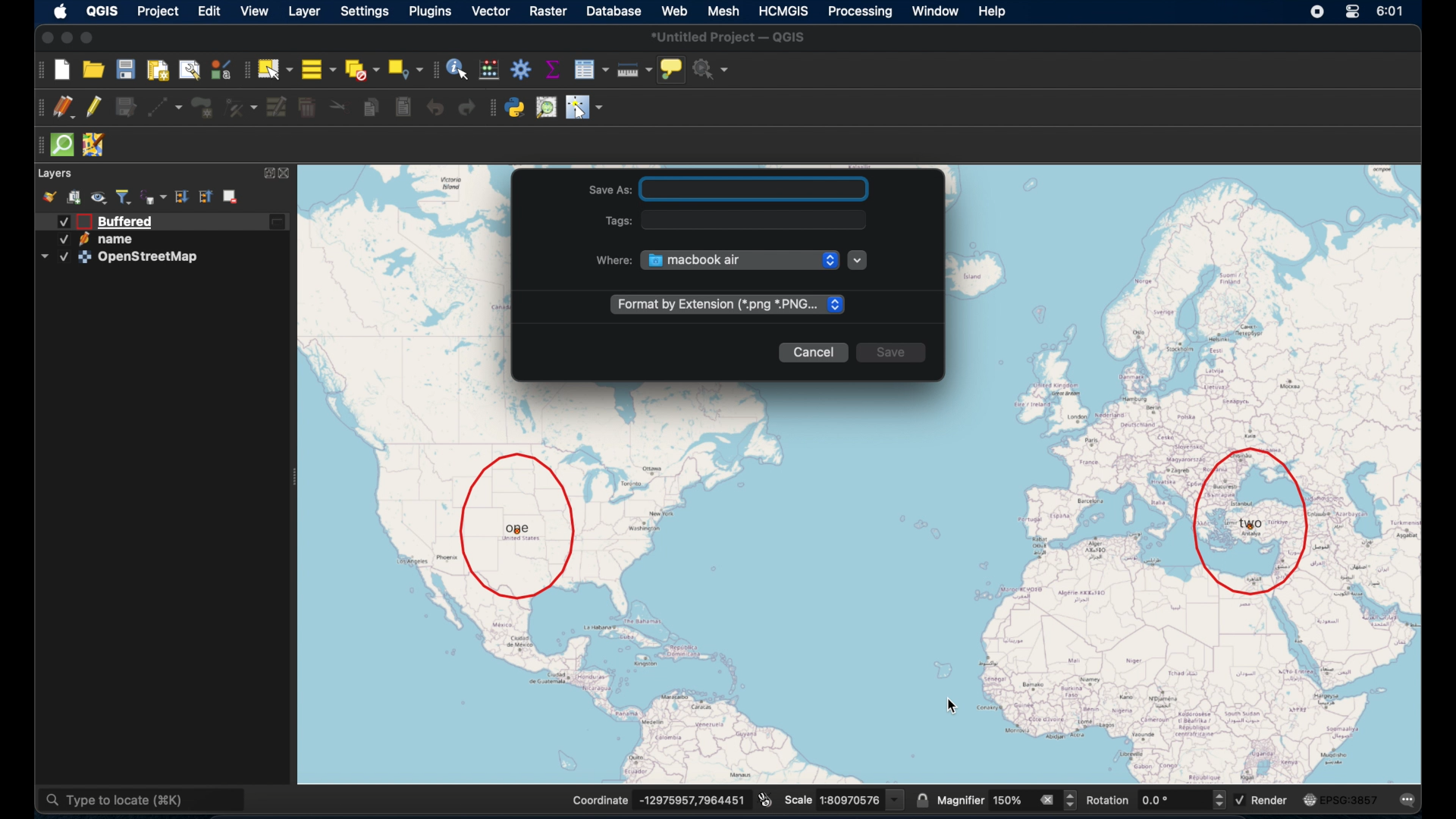  I want to click on quicksom, so click(62, 146).